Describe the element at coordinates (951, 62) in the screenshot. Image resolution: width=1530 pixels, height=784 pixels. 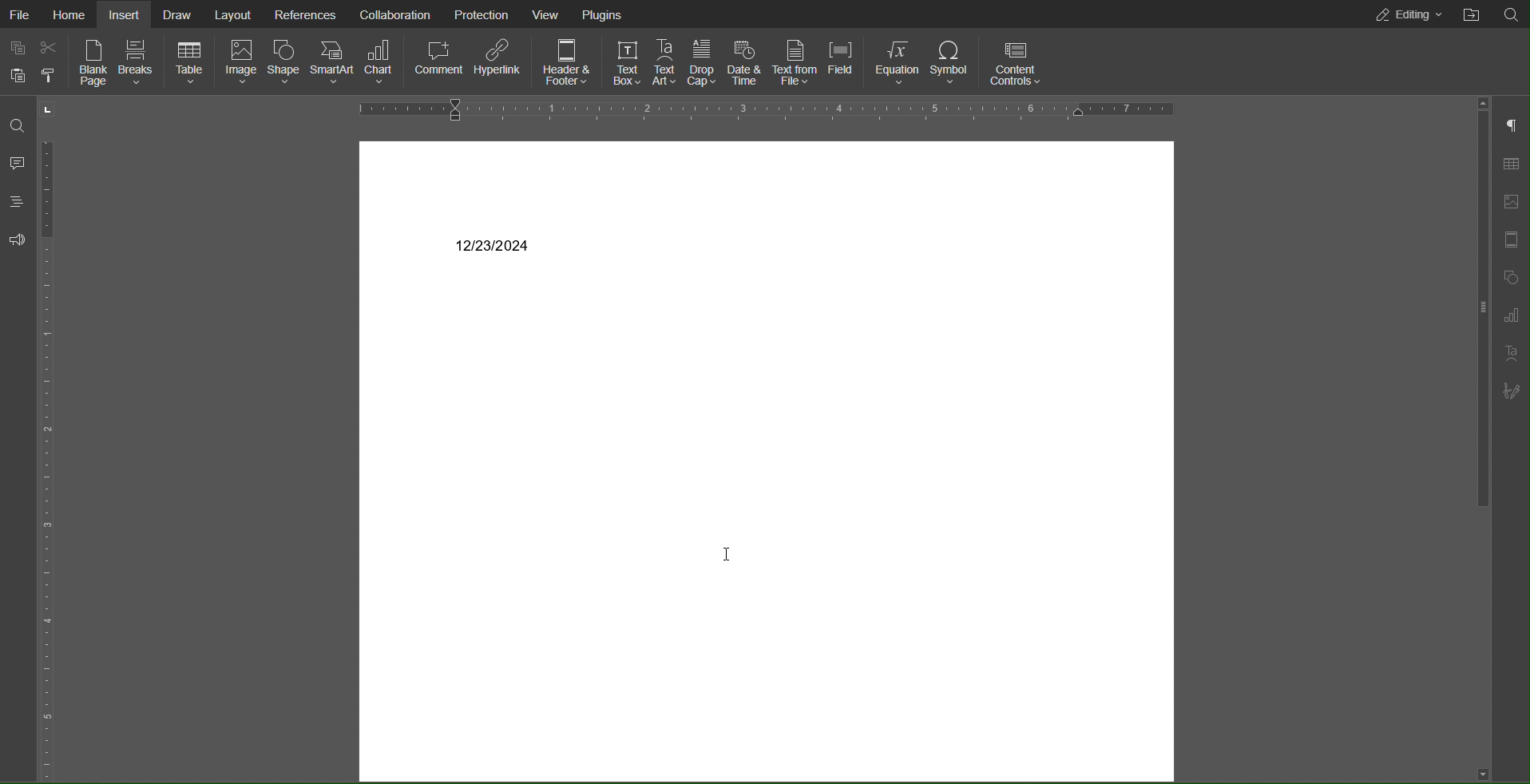
I see `Symbol` at that location.